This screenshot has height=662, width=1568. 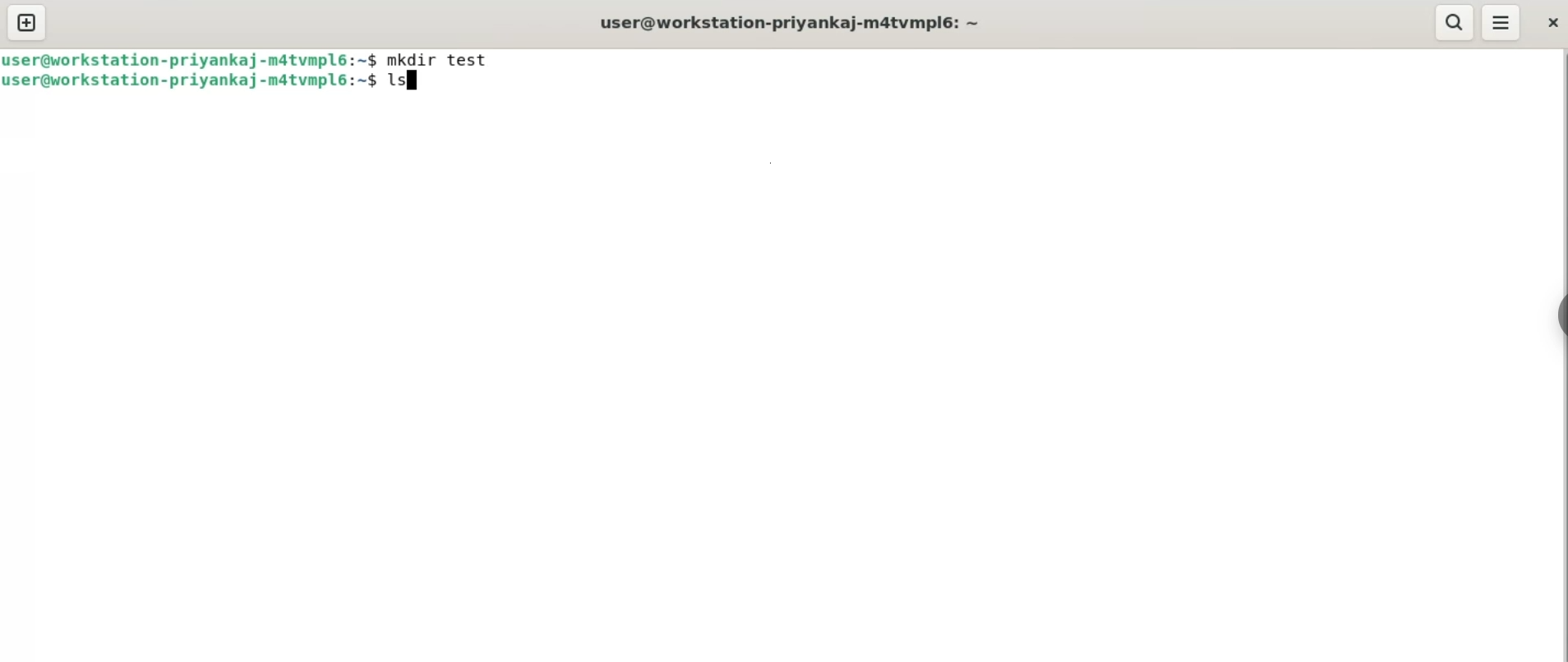 I want to click on user@workstation-priyankaj-m4tvmpl6: ~, so click(x=795, y=22).